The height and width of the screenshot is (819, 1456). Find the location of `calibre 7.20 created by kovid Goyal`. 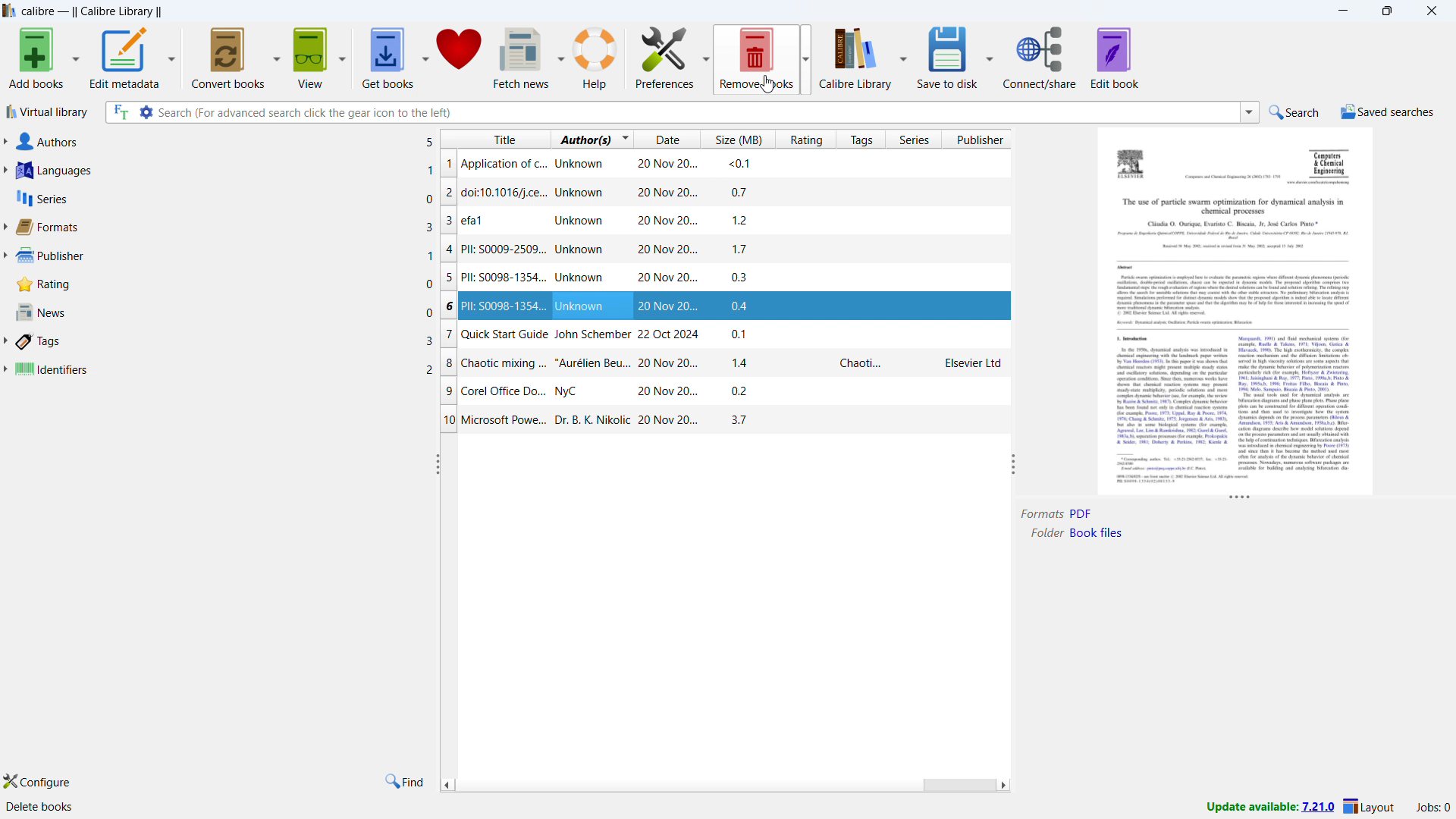

calibre 7.20 created by kovid Goyal is located at coordinates (93, 809).